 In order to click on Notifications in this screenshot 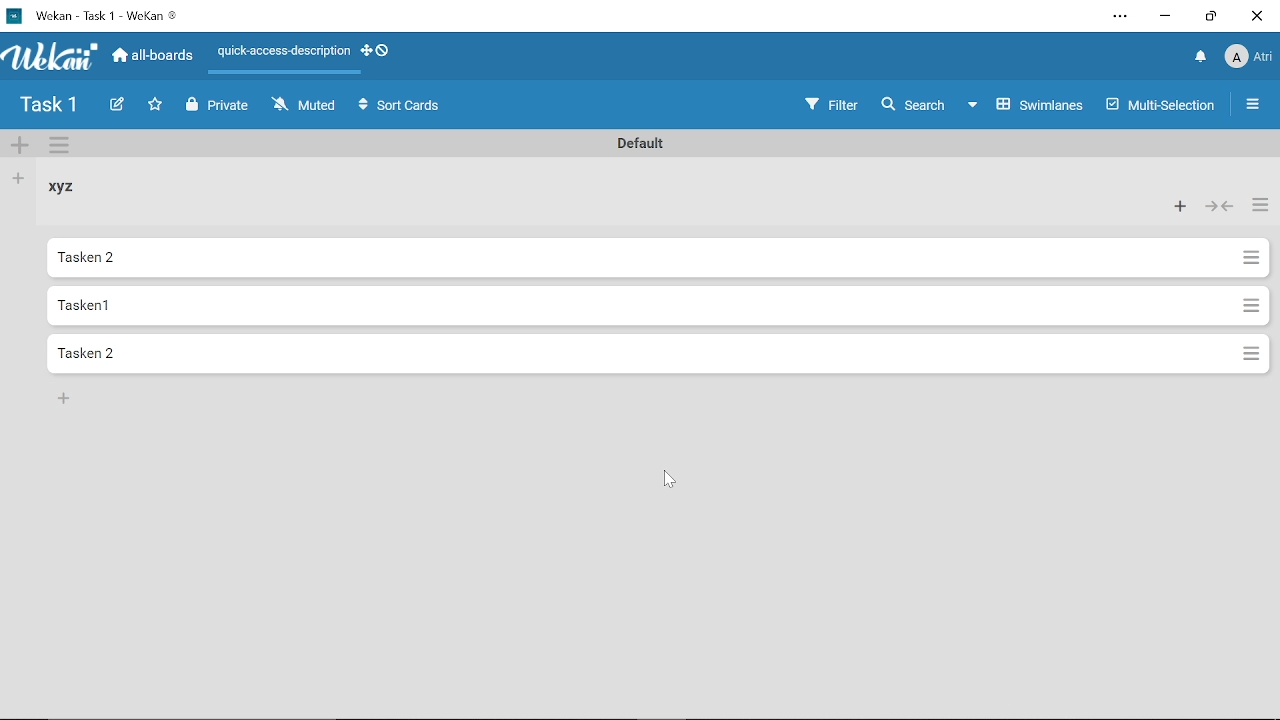, I will do `click(1198, 57)`.